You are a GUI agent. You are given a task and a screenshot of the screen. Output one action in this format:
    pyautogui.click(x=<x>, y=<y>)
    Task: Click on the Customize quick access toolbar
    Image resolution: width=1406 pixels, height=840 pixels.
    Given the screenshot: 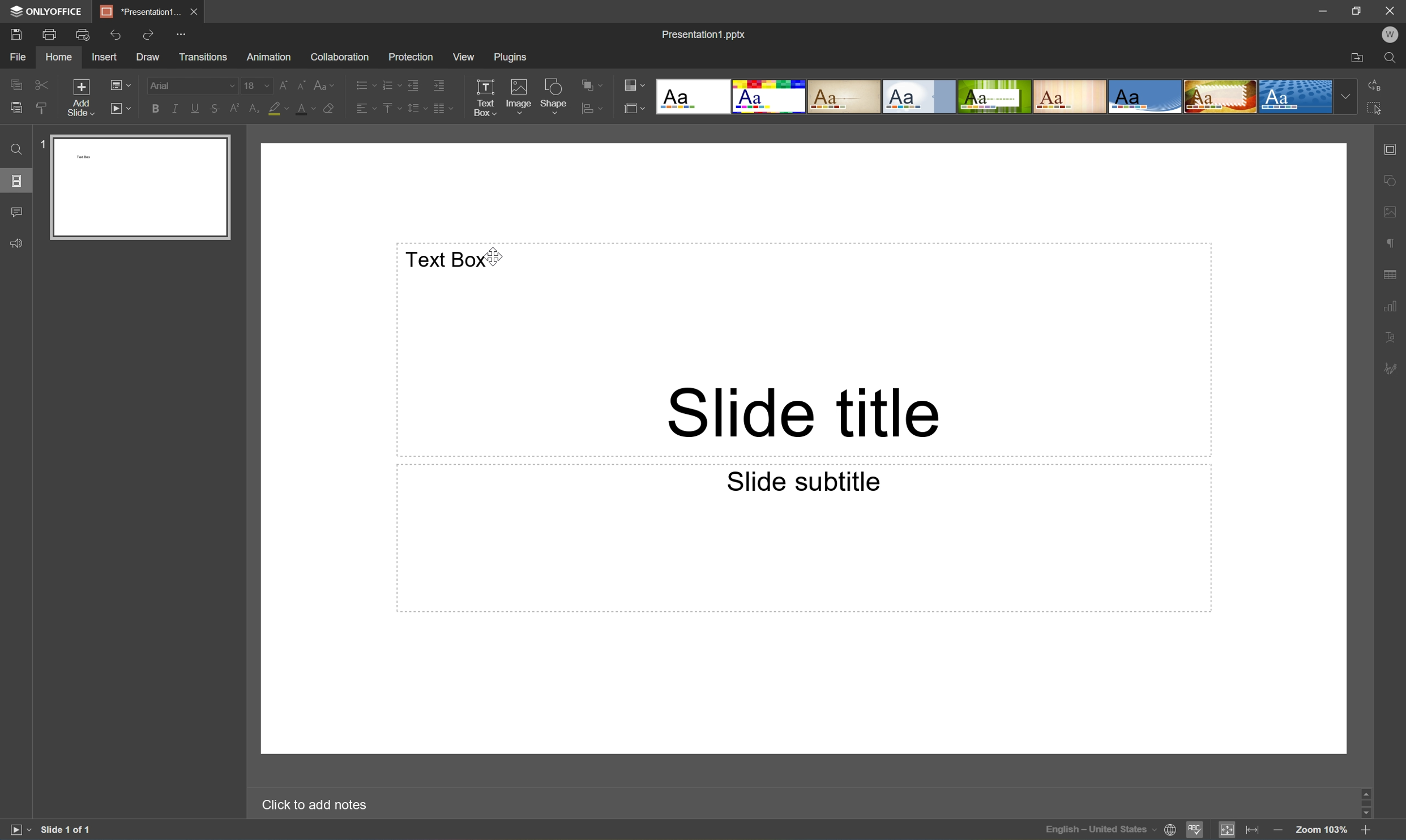 What is the action you would take?
    pyautogui.click(x=182, y=33)
    